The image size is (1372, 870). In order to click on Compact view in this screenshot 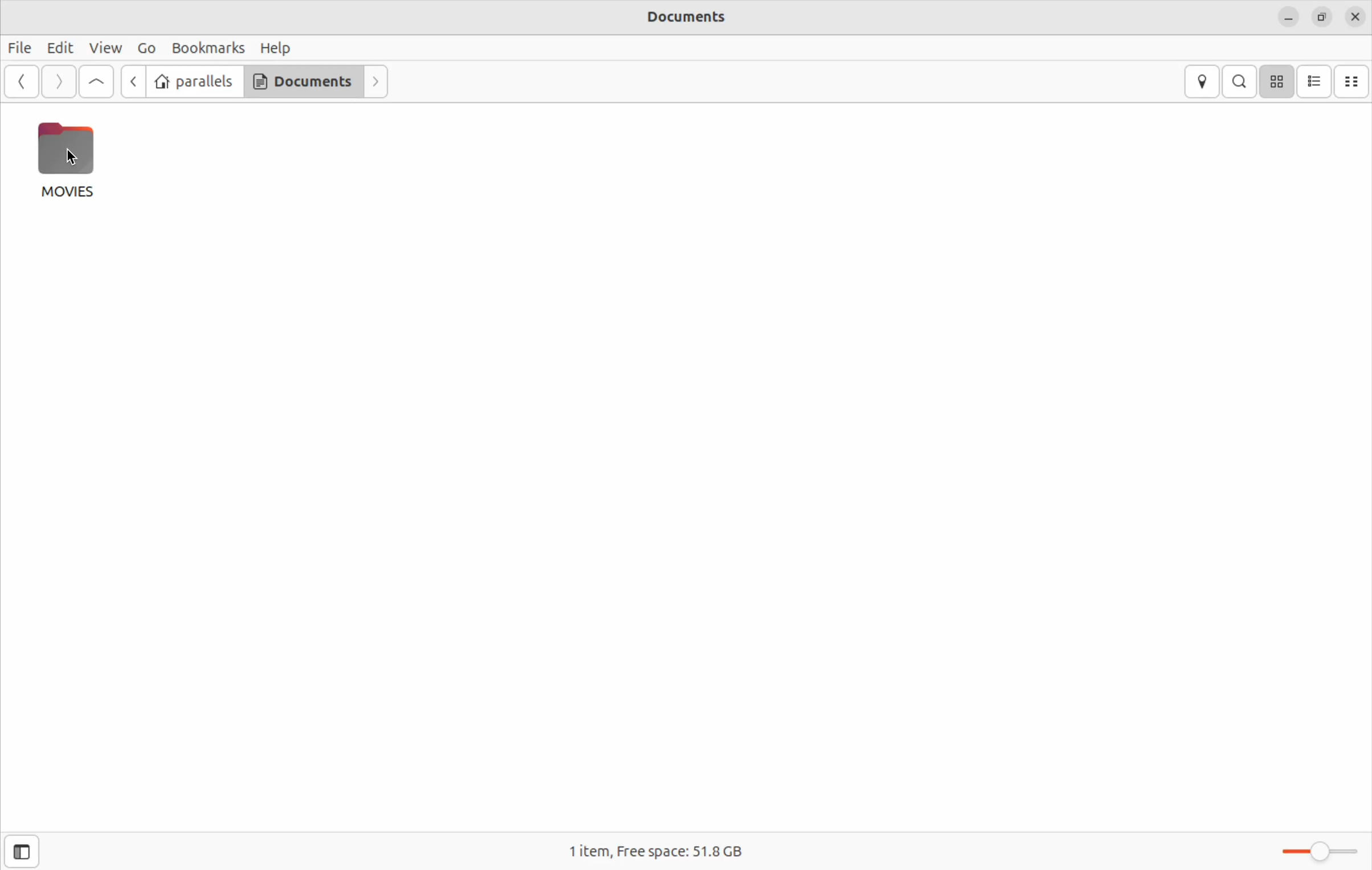, I will do `click(1355, 81)`.